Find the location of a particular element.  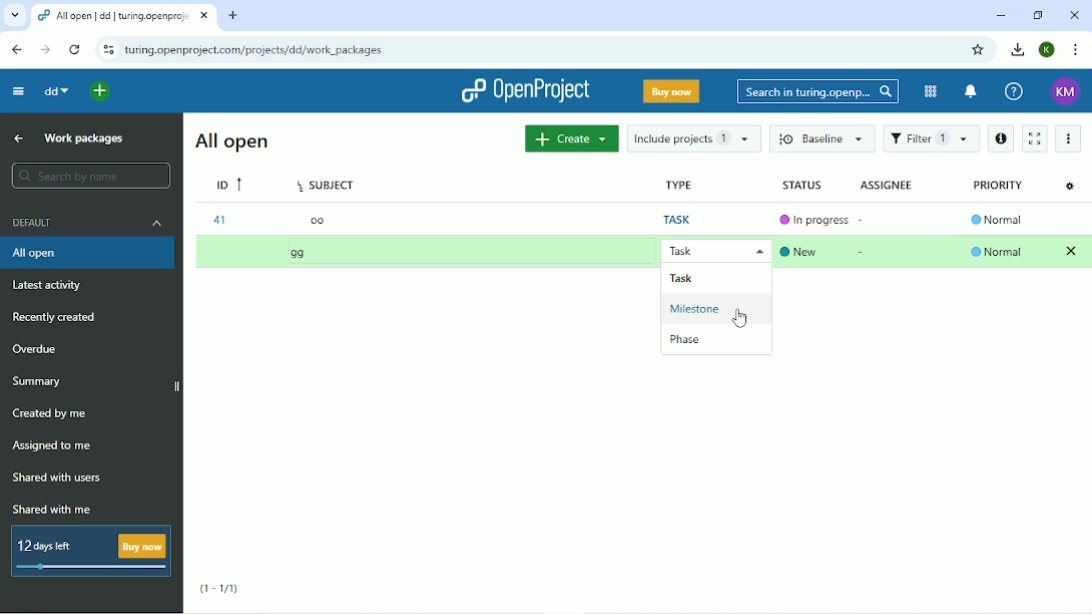

New is located at coordinates (799, 250).